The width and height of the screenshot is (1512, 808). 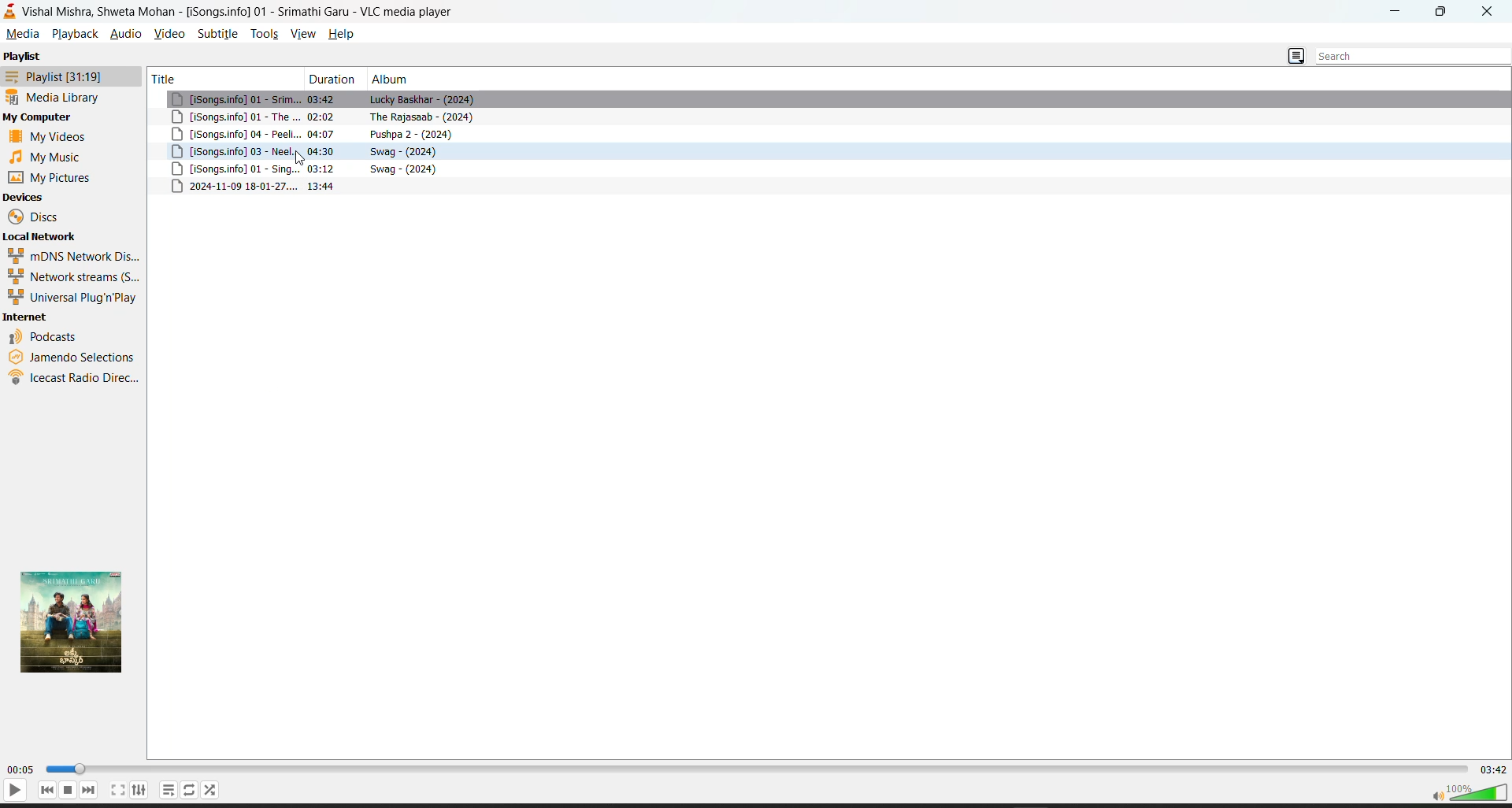 What do you see at coordinates (754, 770) in the screenshot?
I see `track slider` at bounding box center [754, 770].